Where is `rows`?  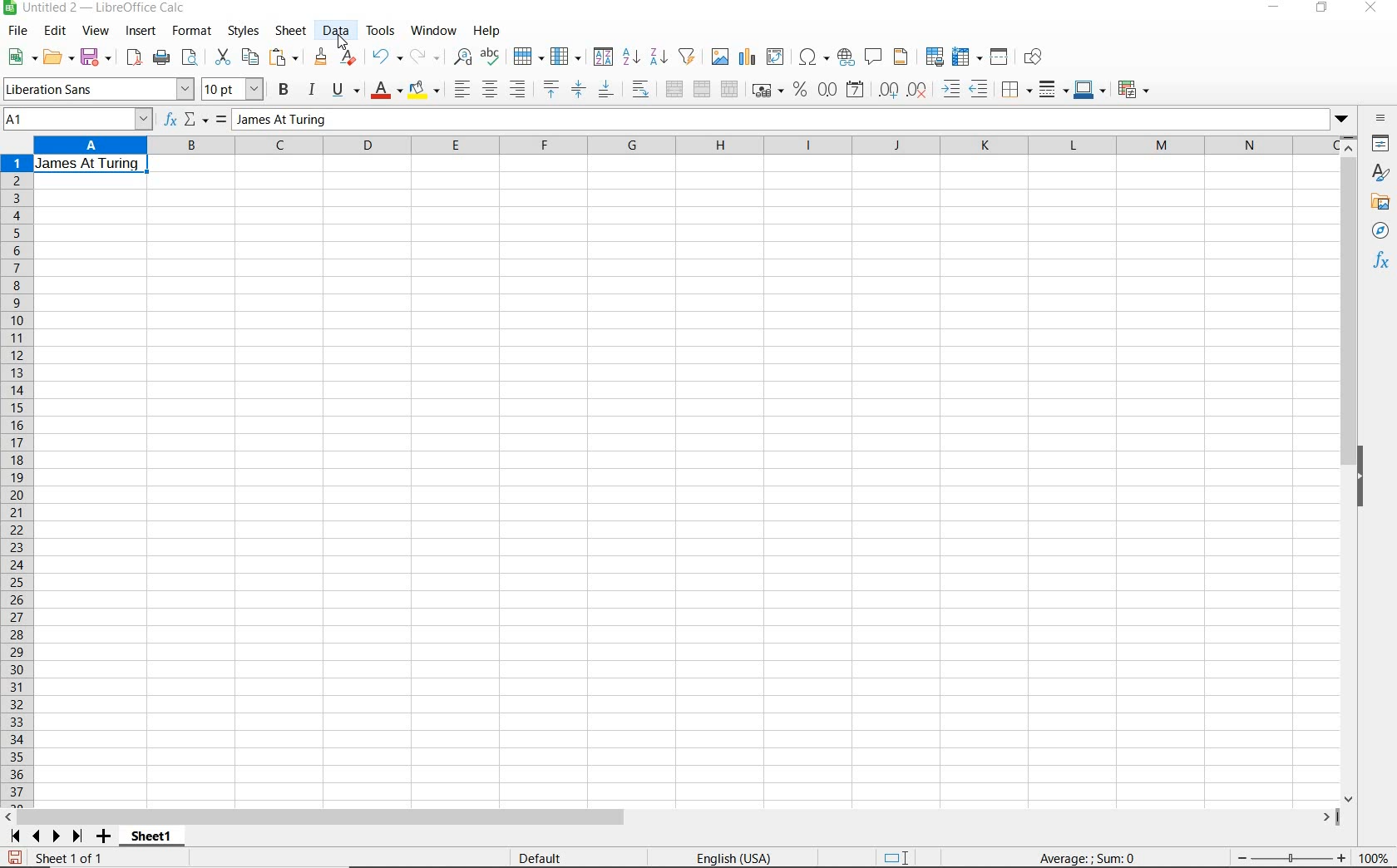 rows is located at coordinates (15, 481).